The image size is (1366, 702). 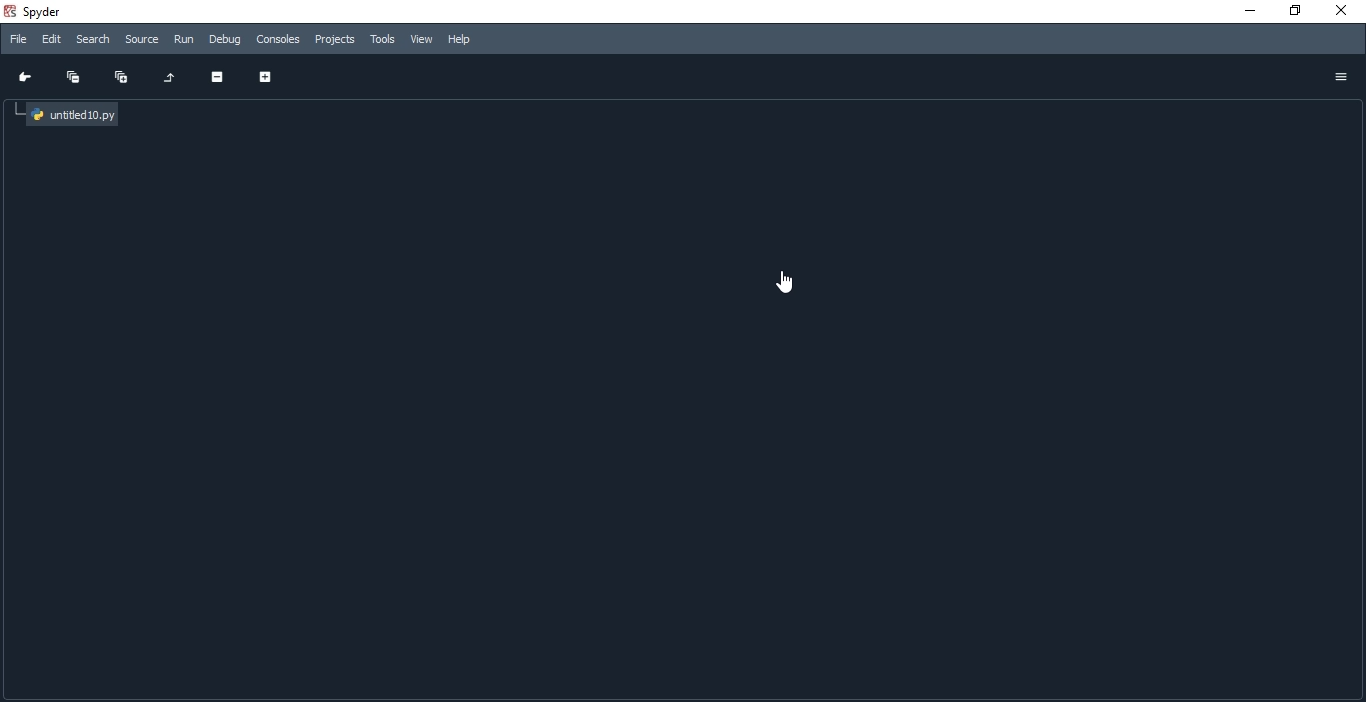 What do you see at coordinates (1293, 10) in the screenshot?
I see `restore` at bounding box center [1293, 10].